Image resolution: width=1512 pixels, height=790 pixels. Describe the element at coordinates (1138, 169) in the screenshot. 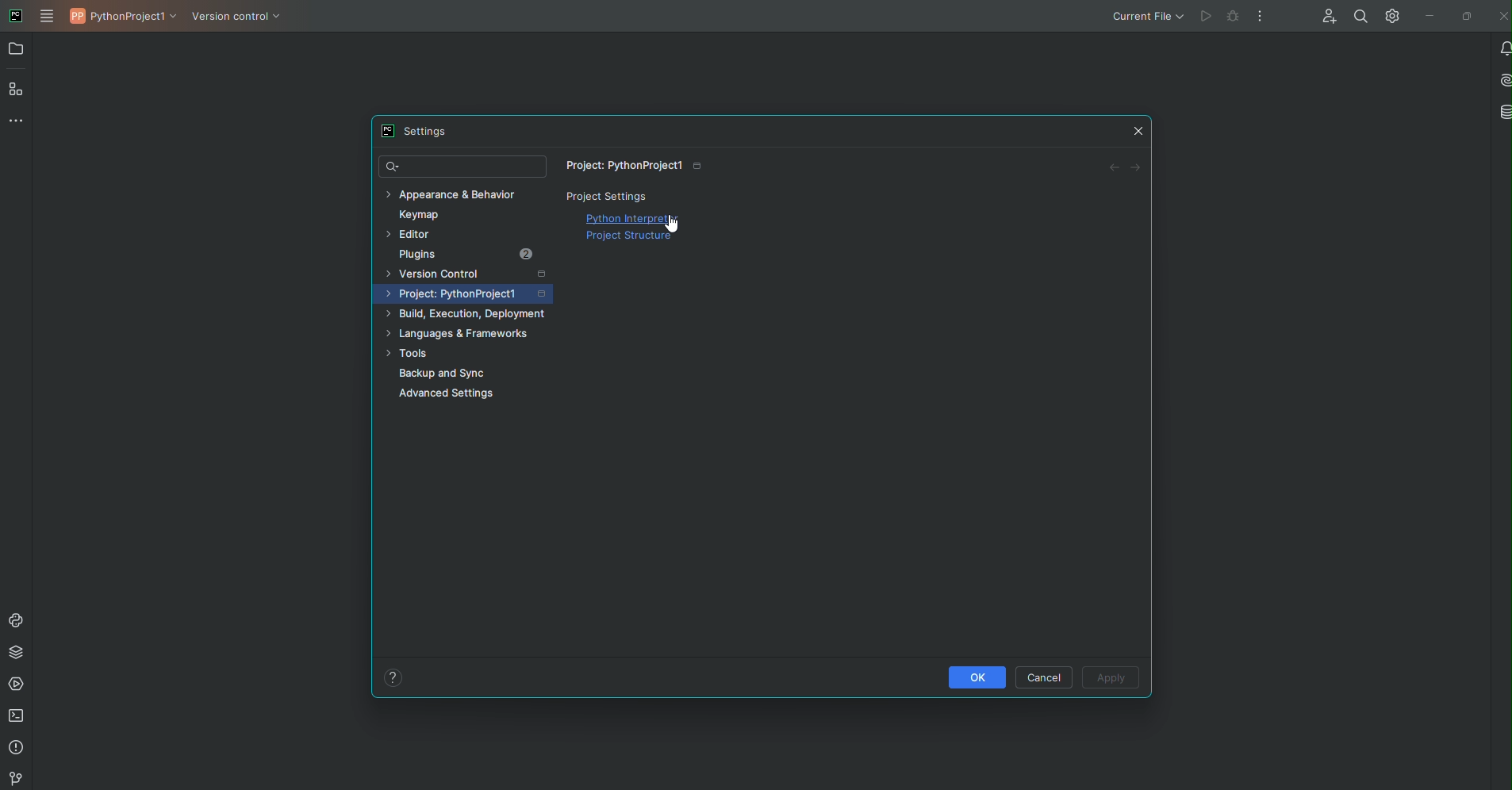

I see `Forward` at that location.